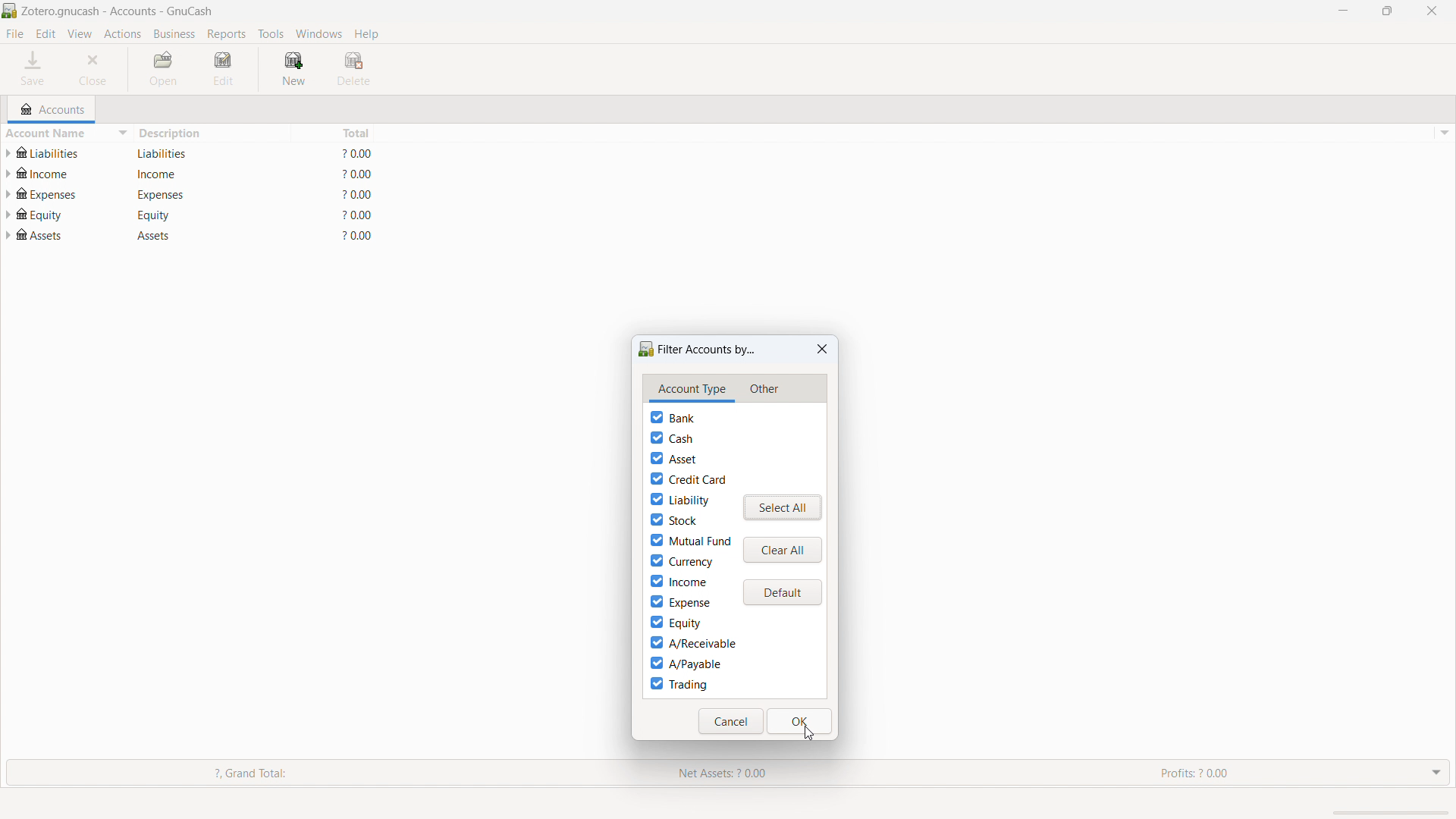 This screenshot has width=1456, height=819. What do you see at coordinates (678, 581) in the screenshot?
I see `income` at bounding box center [678, 581].